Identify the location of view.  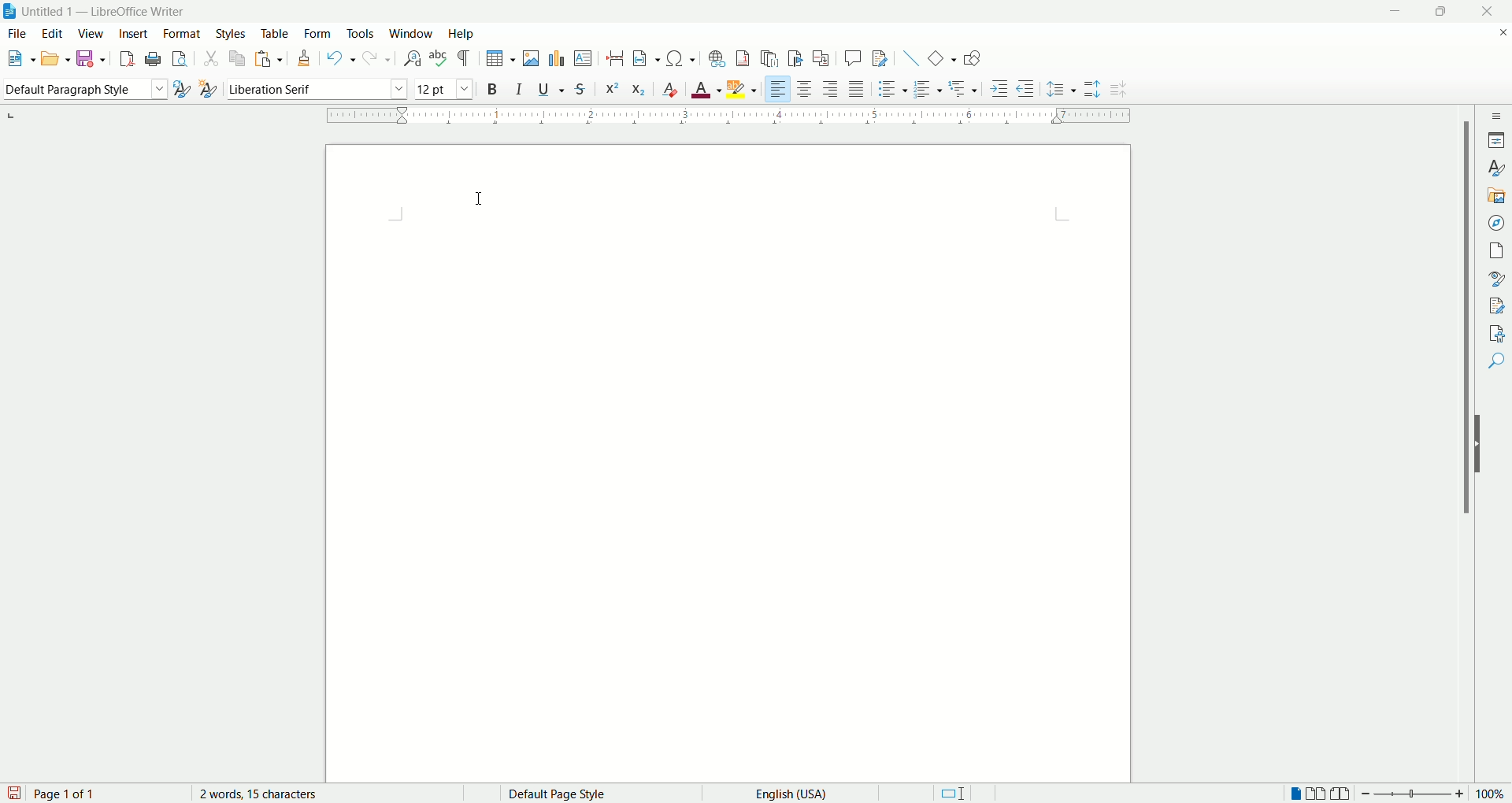
(92, 34).